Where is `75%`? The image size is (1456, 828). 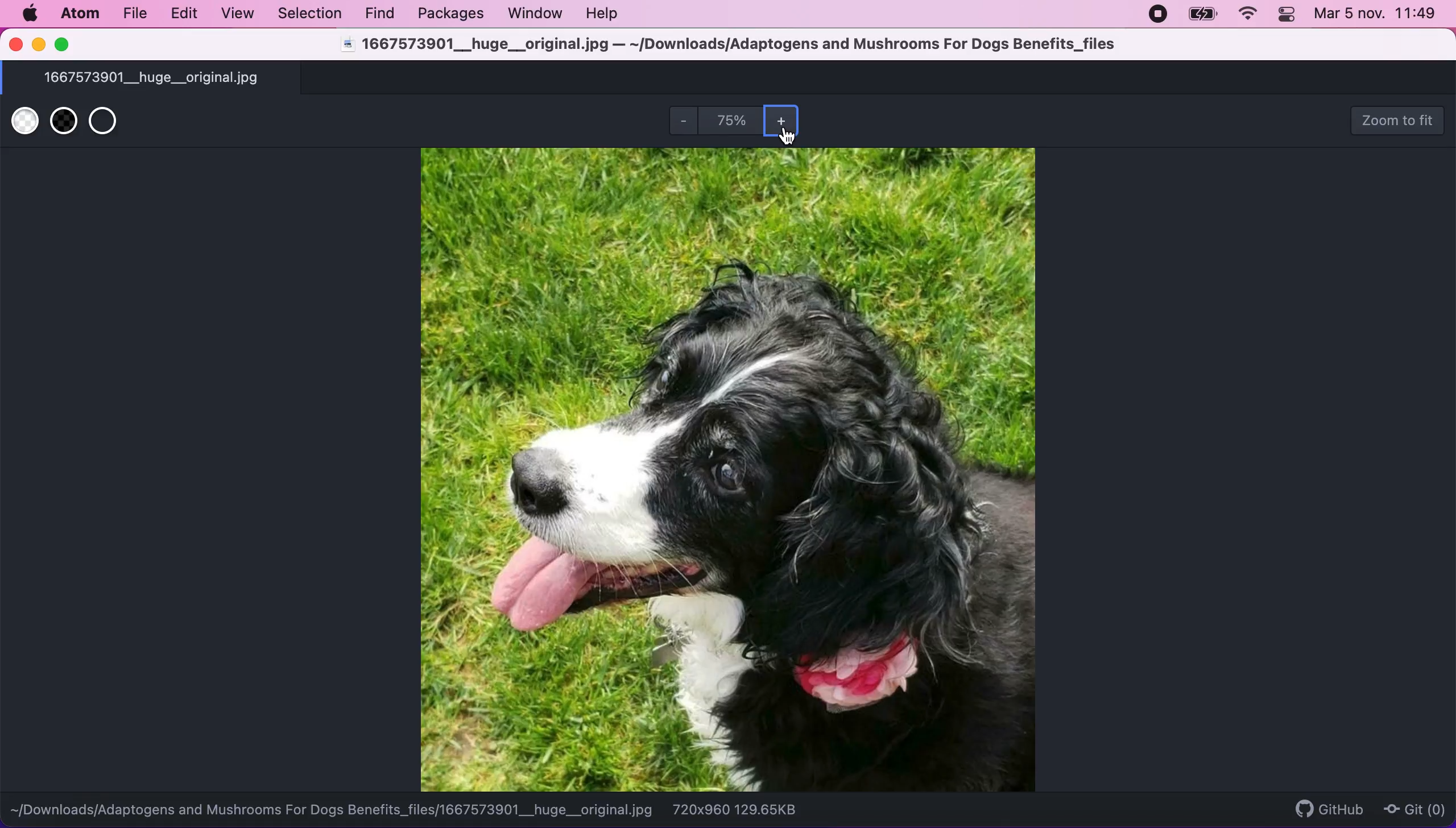
75% is located at coordinates (731, 122).